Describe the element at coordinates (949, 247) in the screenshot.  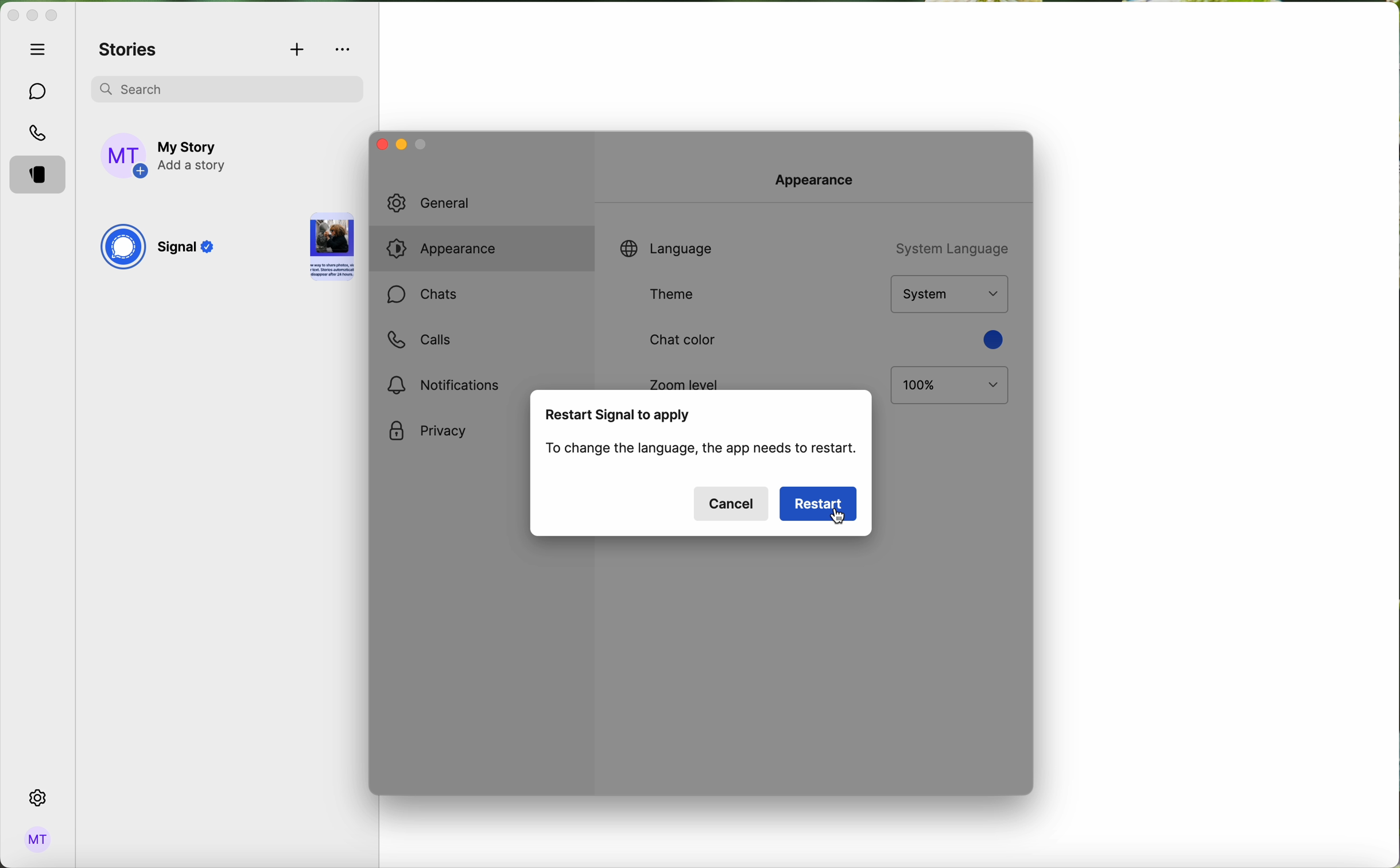
I see `system language` at that location.